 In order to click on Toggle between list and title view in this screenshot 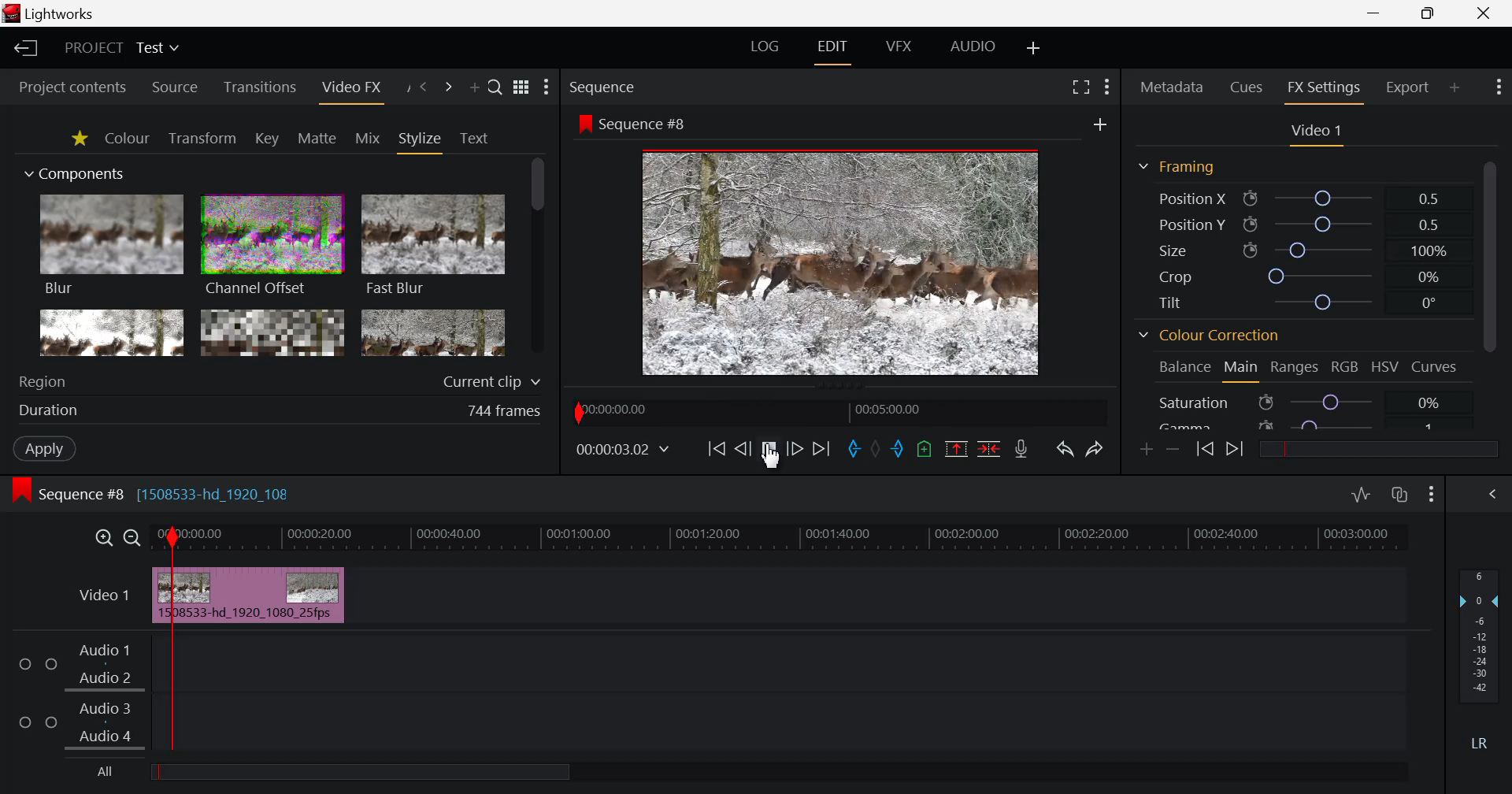, I will do `click(521, 87)`.